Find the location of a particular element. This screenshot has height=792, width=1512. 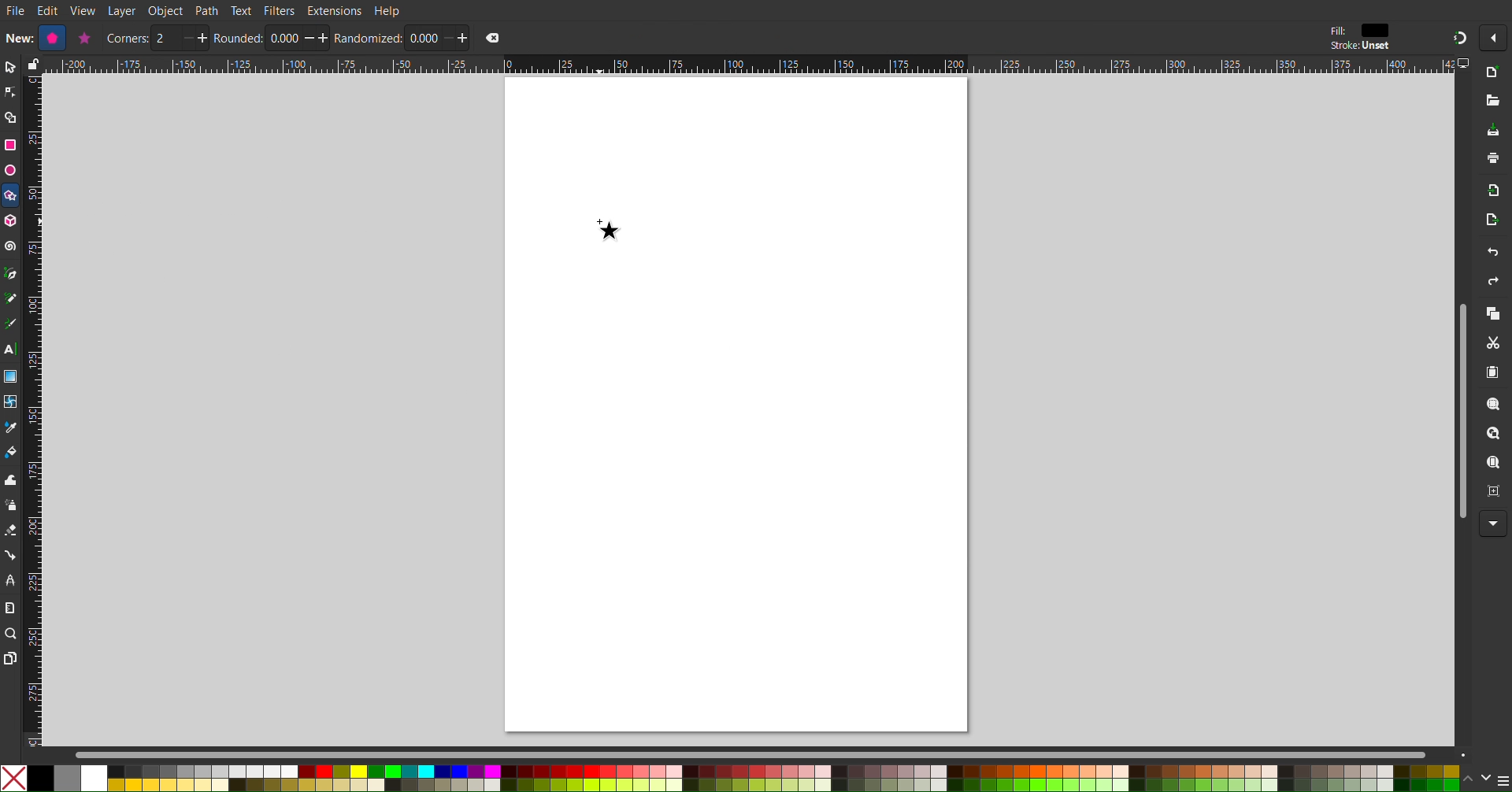

Scrollbar is located at coordinates (1458, 410).